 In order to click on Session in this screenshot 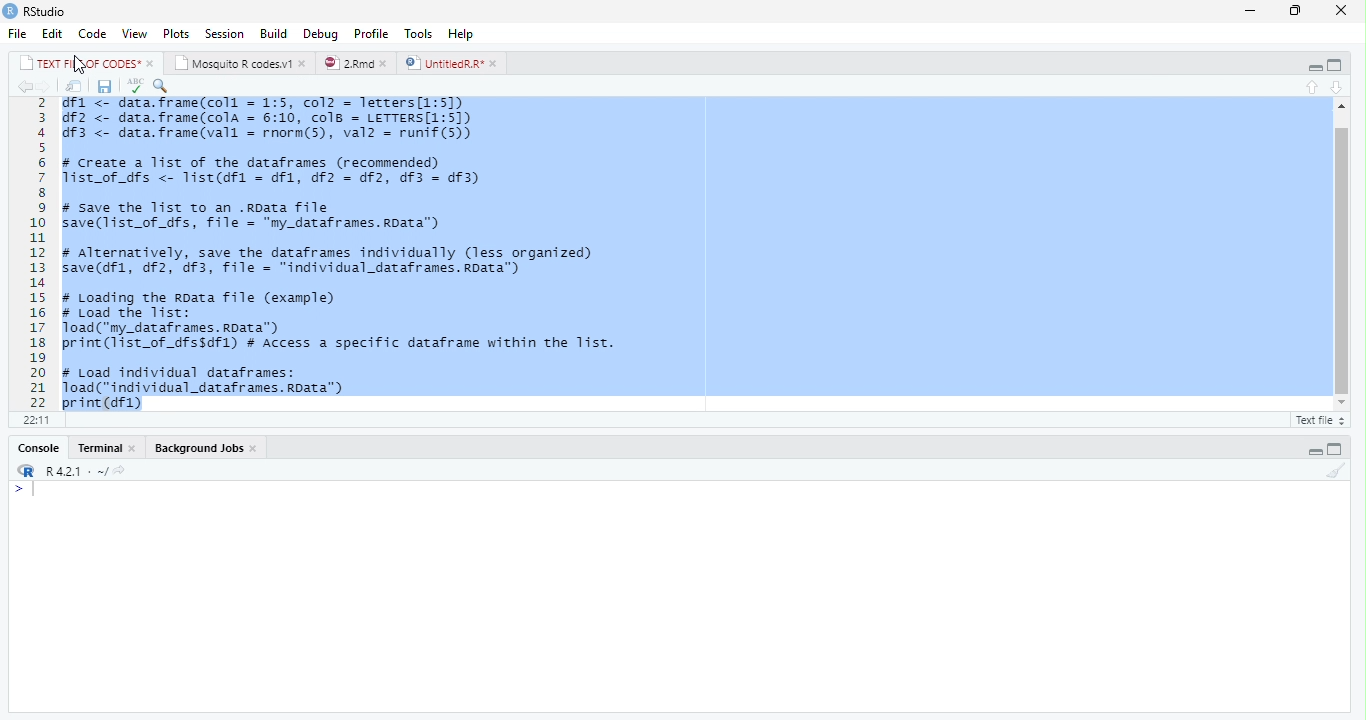, I will do `click(224, 33)`.